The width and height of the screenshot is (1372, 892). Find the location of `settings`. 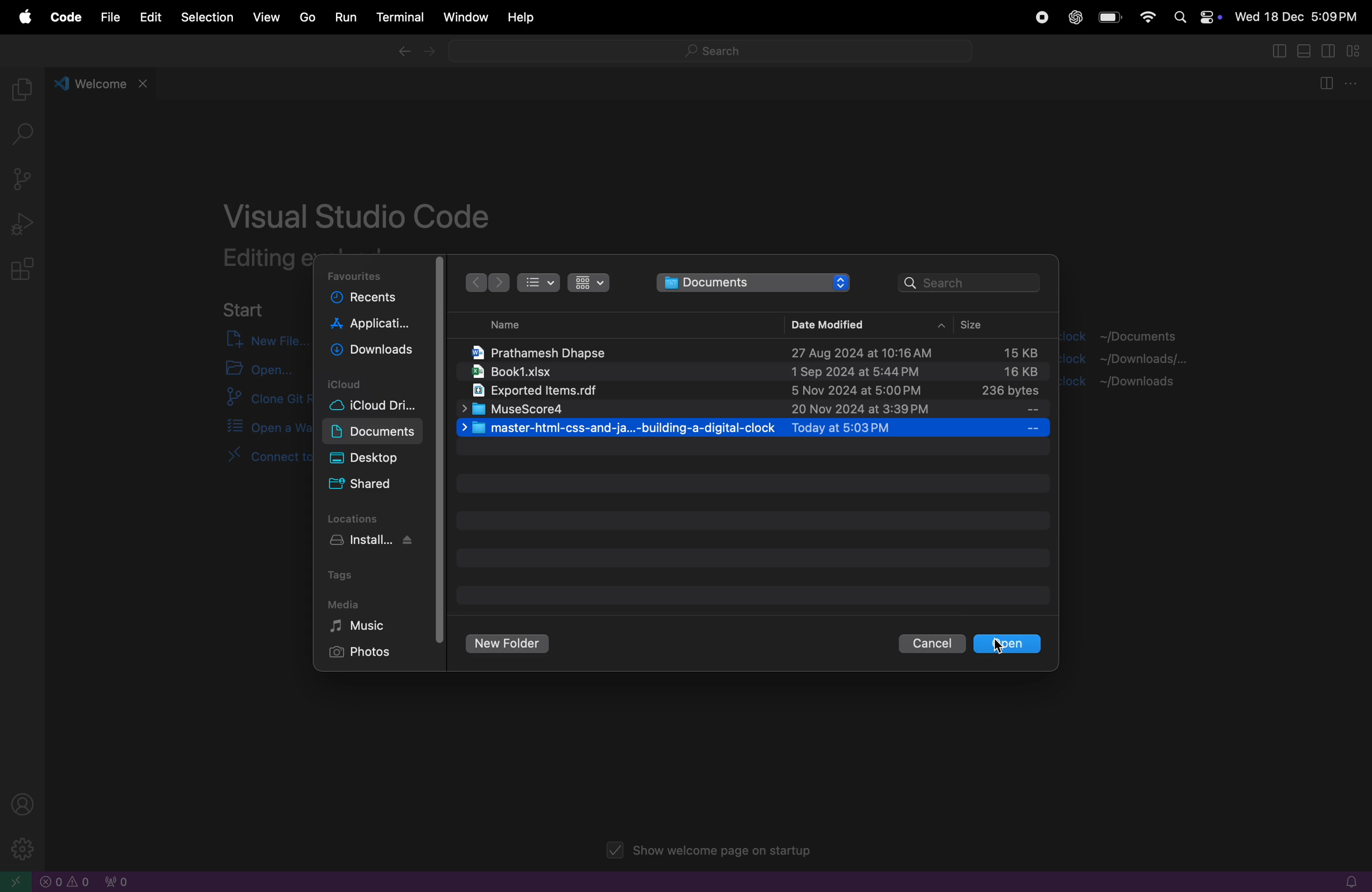

settings is located at coordinates (19, 848).